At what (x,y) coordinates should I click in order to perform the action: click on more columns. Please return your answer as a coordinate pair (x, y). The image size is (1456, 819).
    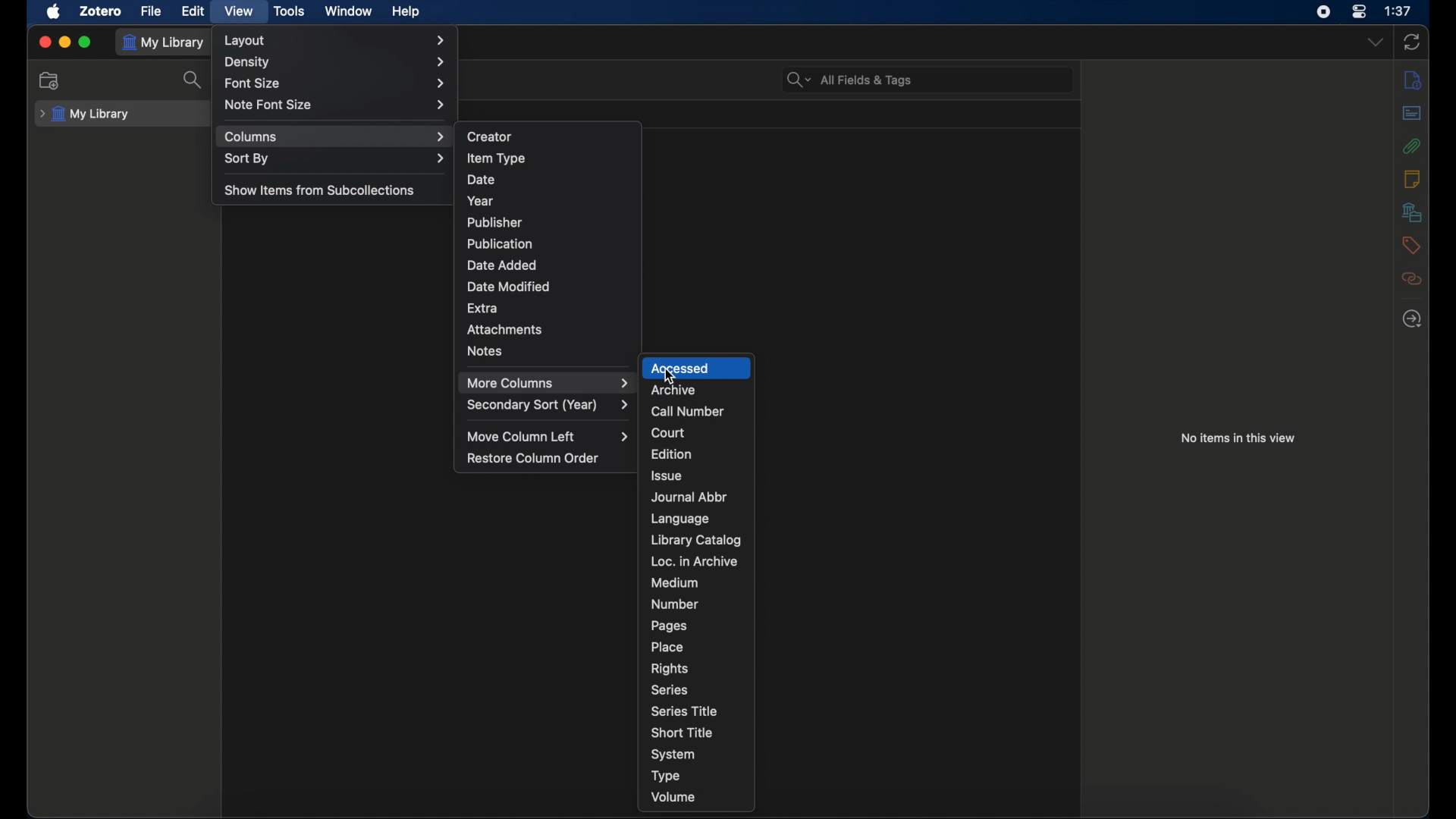
    Looking at the image, I should click on (549, 383).